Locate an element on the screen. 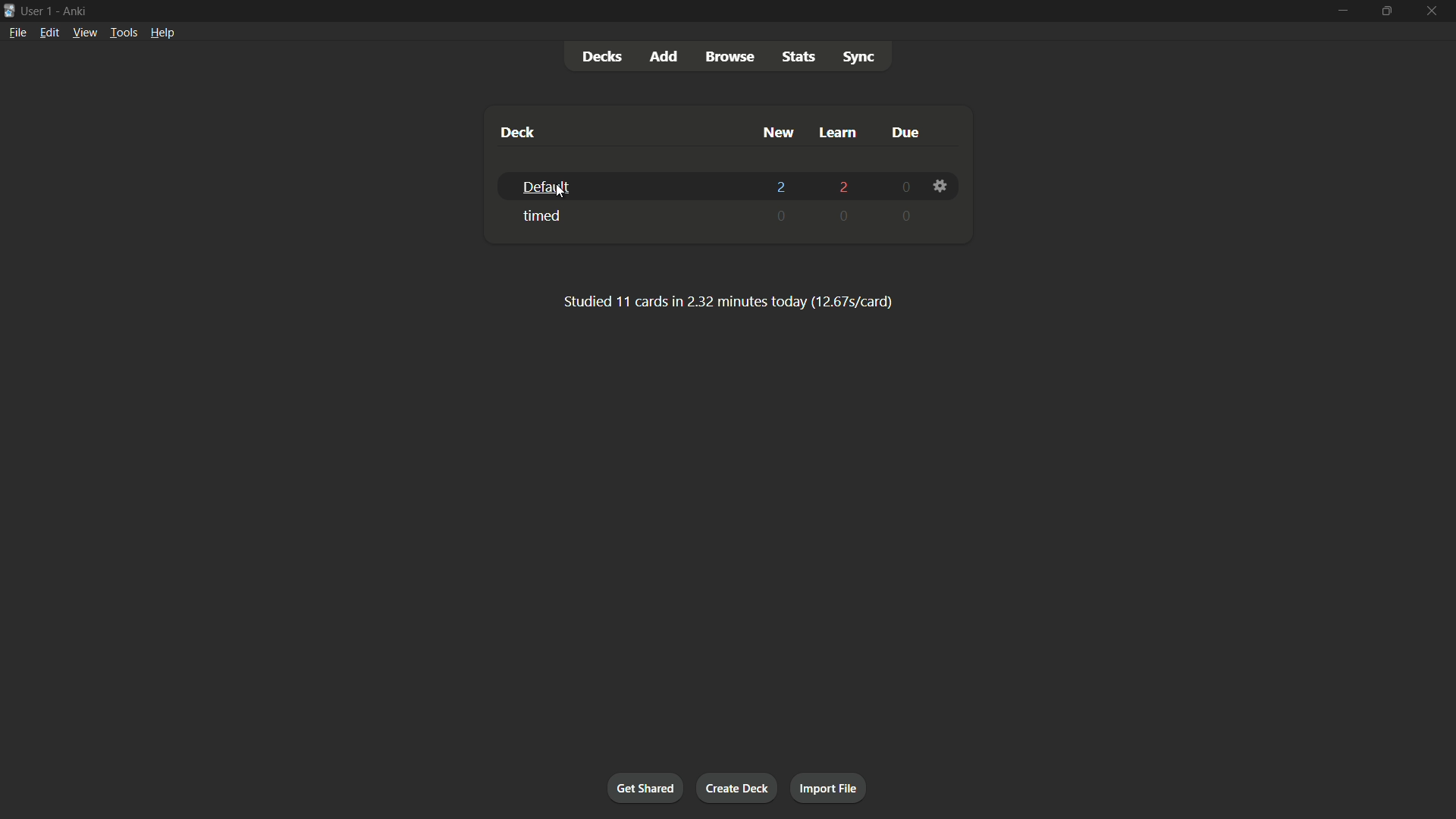 This screenshot has height=819, width=1456. user 1 is located at coordinates (37, 11).